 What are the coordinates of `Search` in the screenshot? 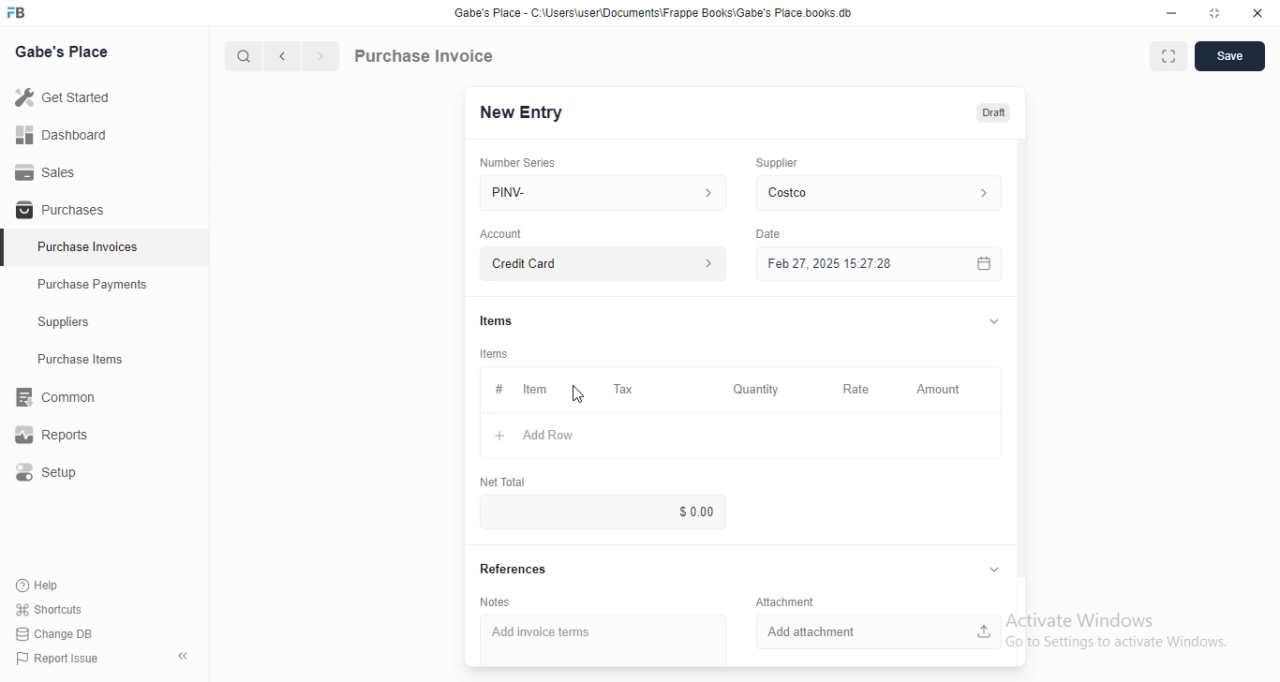 It's located at (243, 56).